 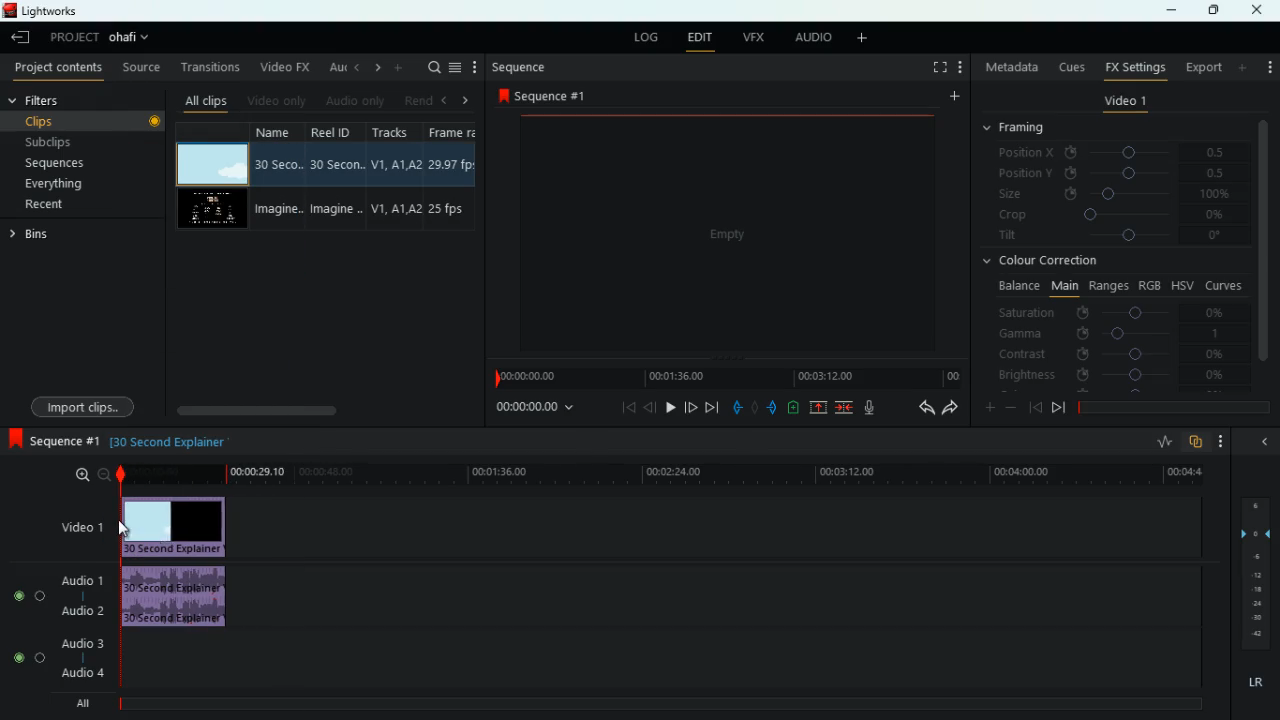 What do you see at coordinates (751, 37) in the screenshot?
I see `vfx` at bounding box center [751, 37].